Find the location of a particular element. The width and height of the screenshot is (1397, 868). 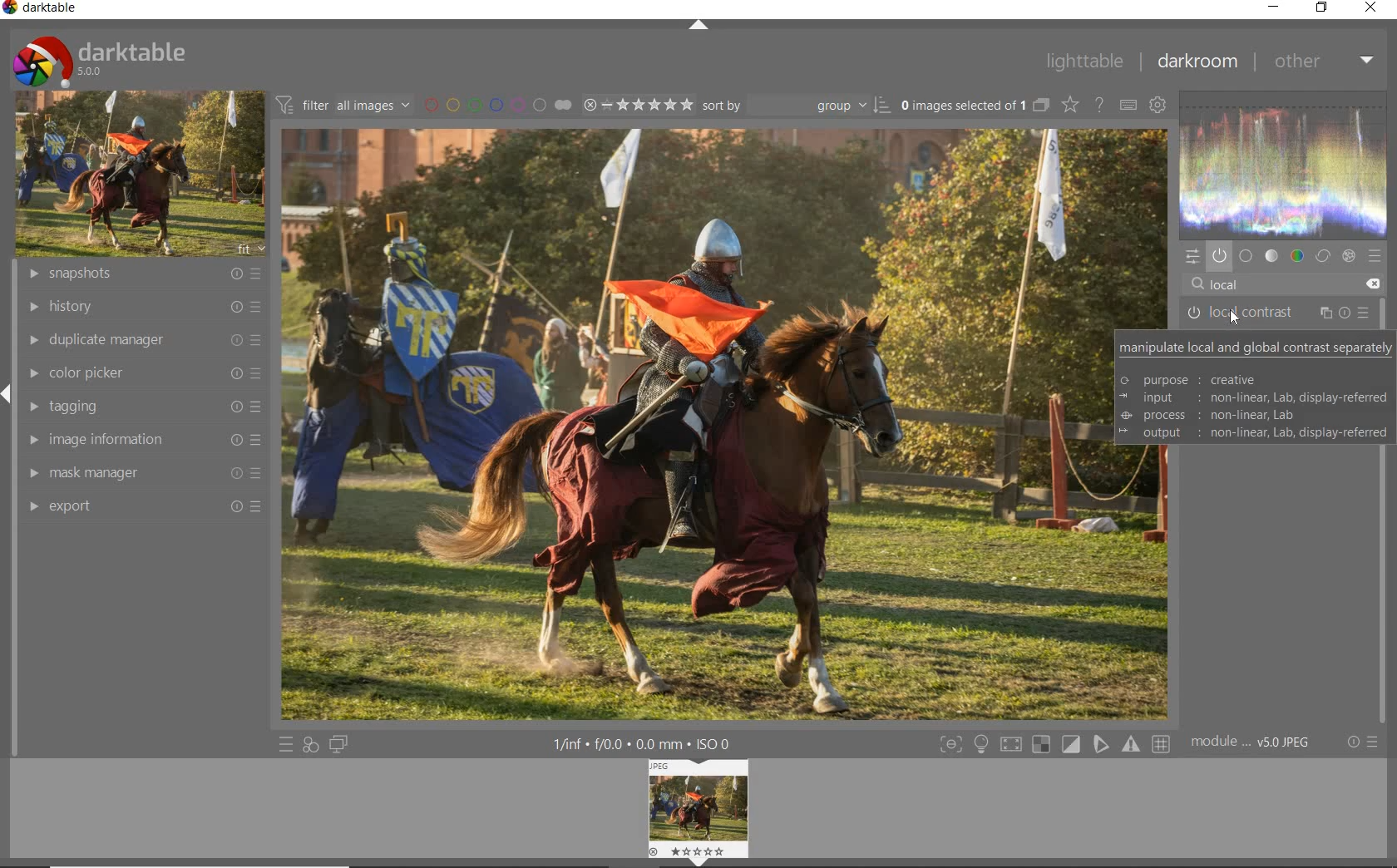

display a second darkroom image widow is located at coordinates (340, 744).